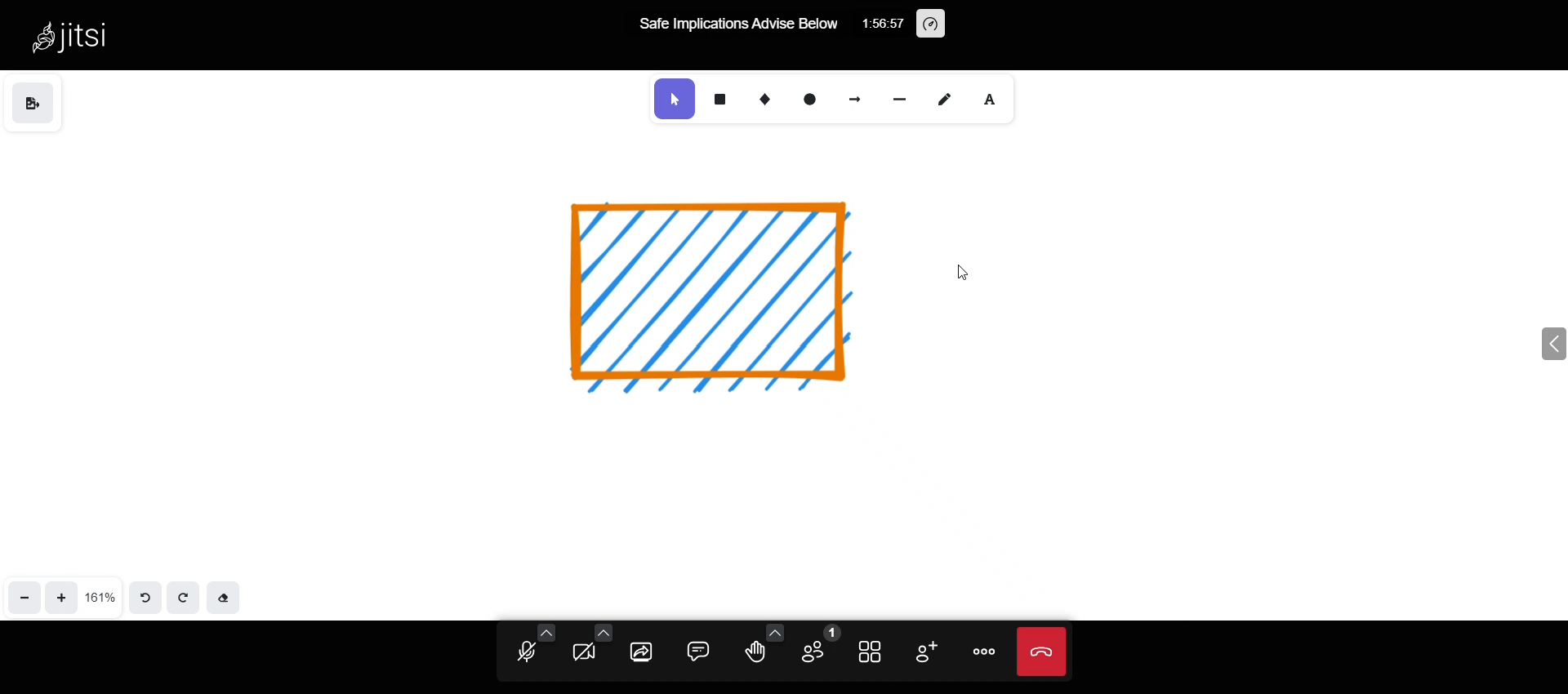 Image resolution: width=1568 pixels, height=694 pixels. Describe the element at coordinates (1518, 341) in the screenshot. I see `expand` at that location.